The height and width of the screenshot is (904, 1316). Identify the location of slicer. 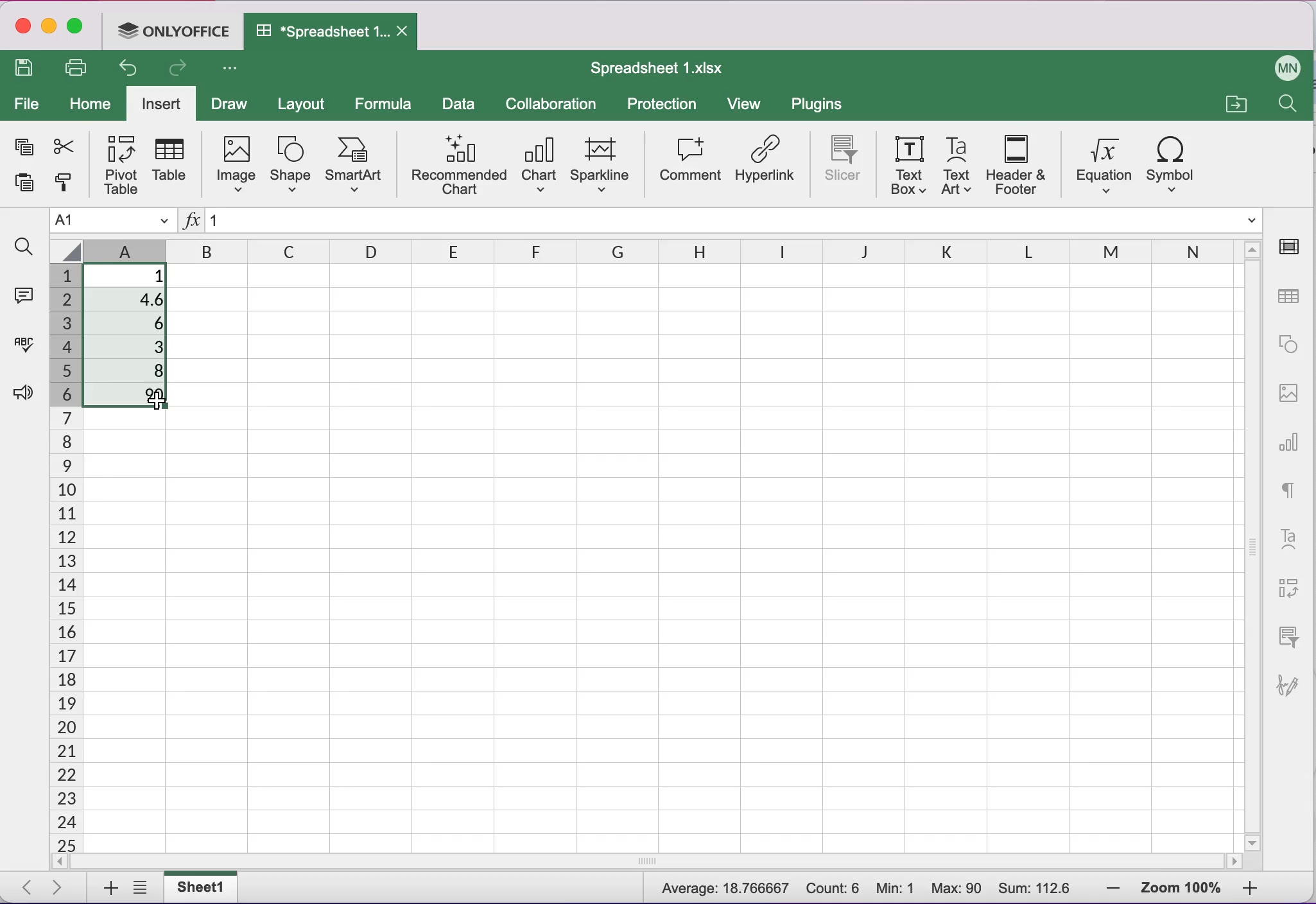
(1287, 640).